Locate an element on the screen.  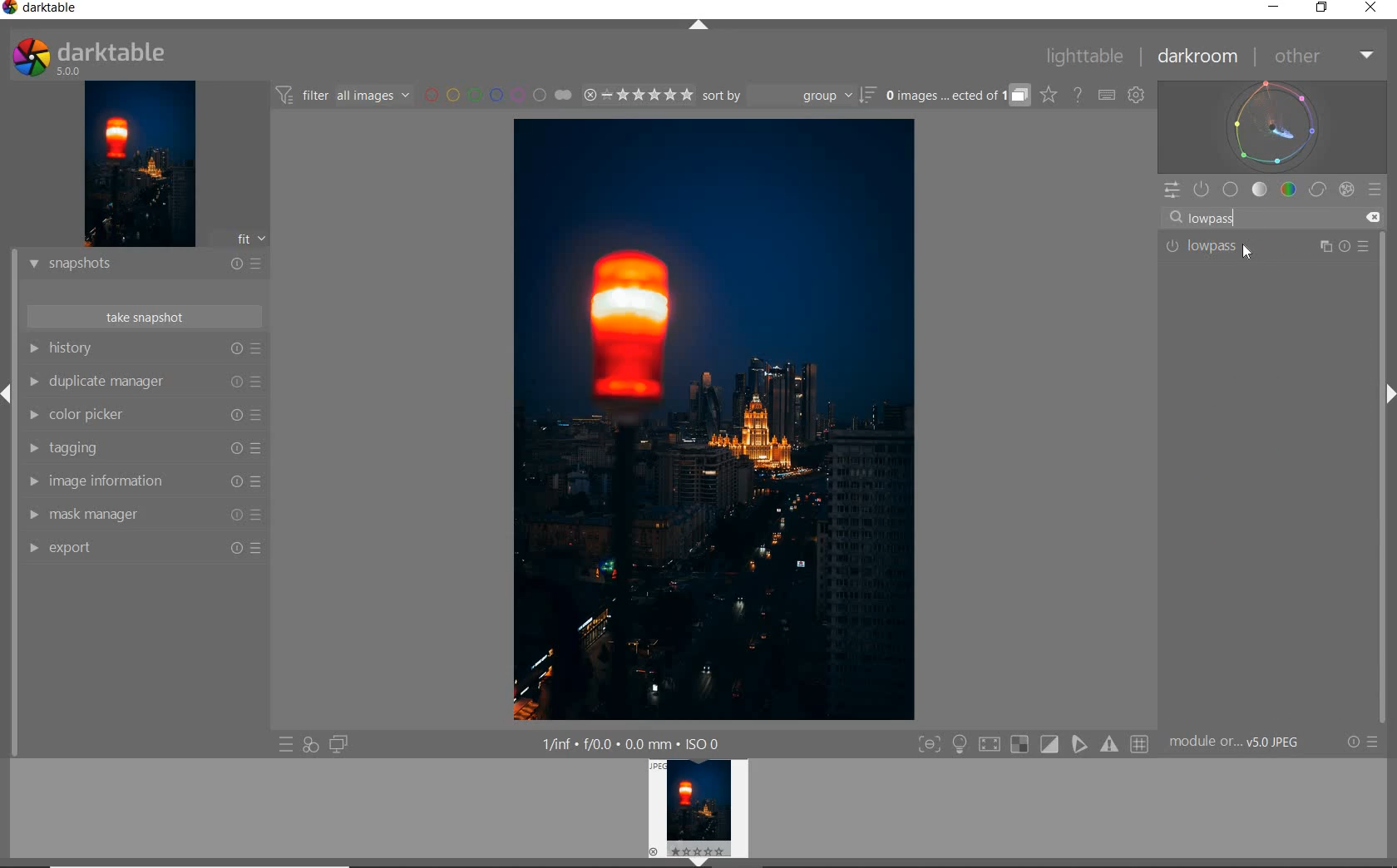
SCROLLBAR is located at coordinates (1389, 472).